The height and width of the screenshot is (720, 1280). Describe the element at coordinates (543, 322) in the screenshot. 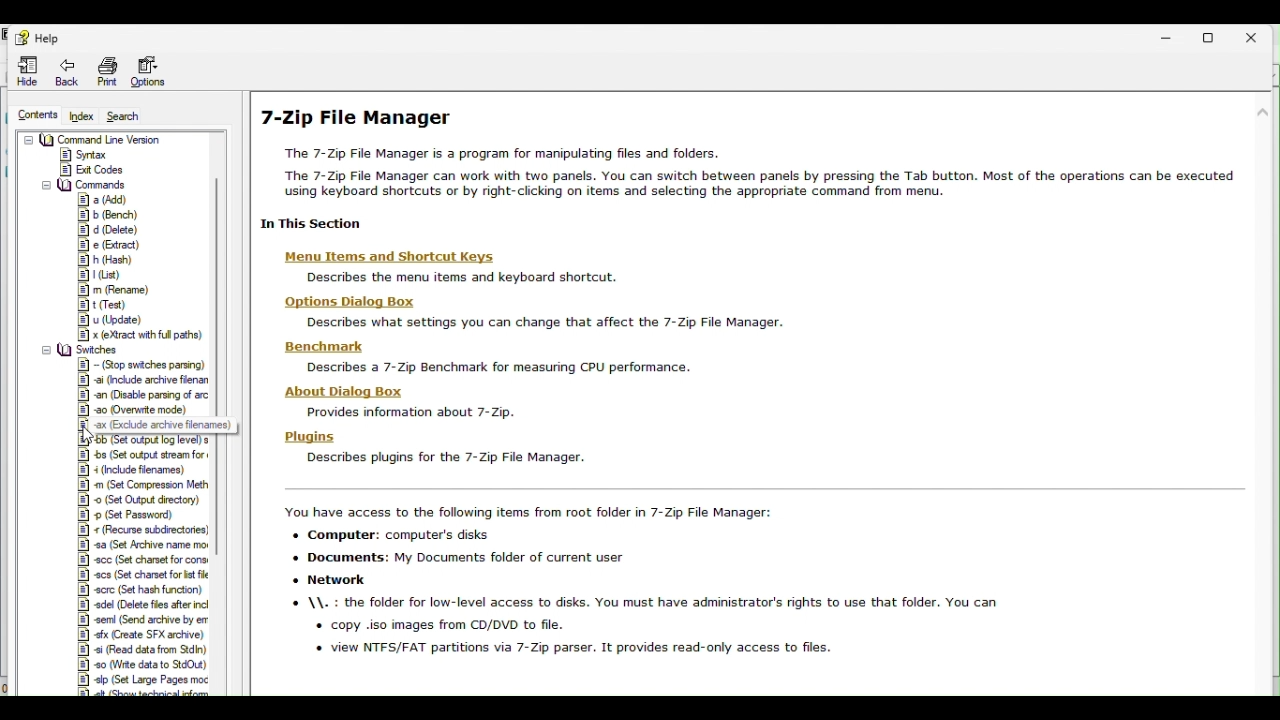

I see `Describes what settings you can change that affect the 7-Zip File Manager.` at that location.